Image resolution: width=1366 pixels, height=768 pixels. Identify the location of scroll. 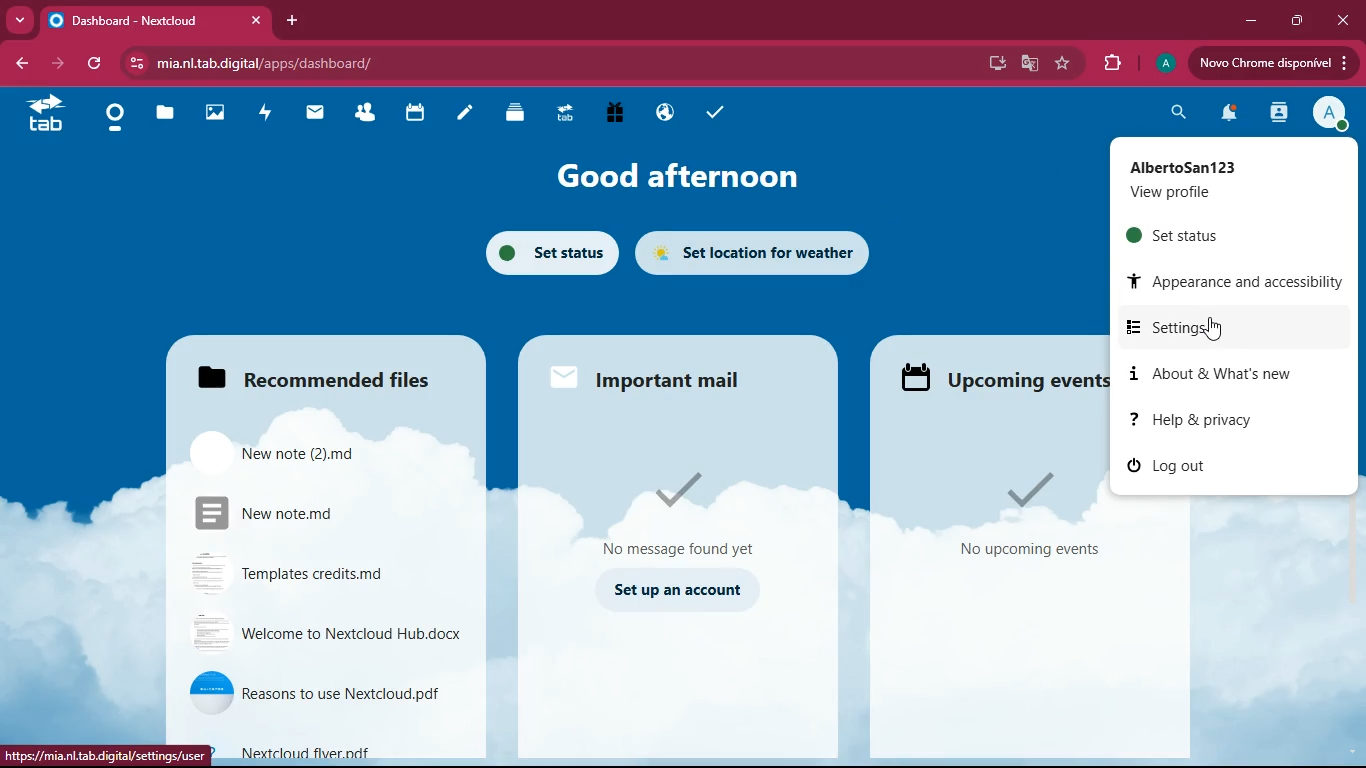
(1352, 329).